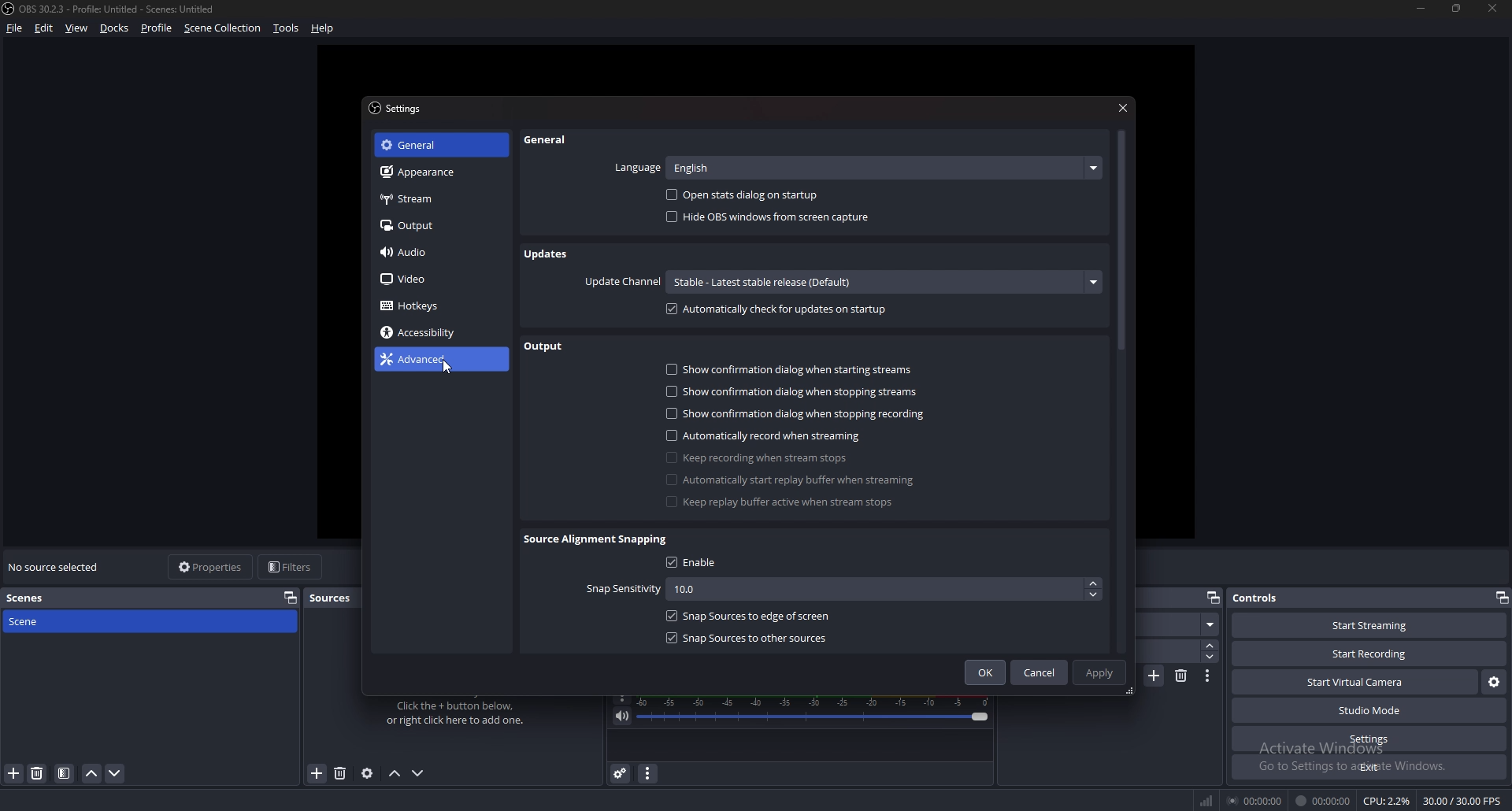  What do you see at coordinates (1177, 624) in the screenshot?
I see `fade` at bounding box center [1177, 624].